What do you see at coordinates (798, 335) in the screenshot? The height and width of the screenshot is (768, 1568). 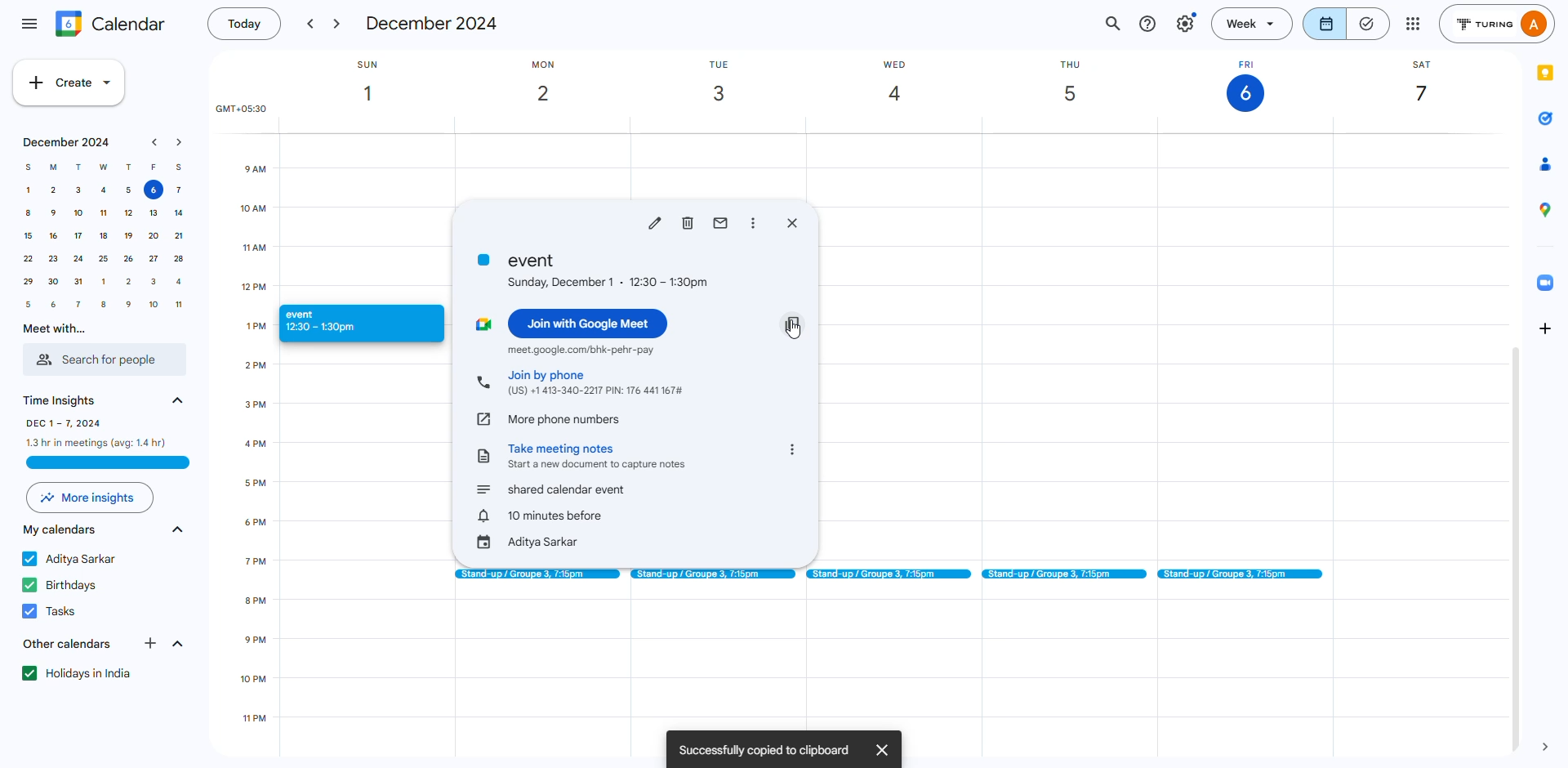 I see `cursor` at bounding box center [798, 335].